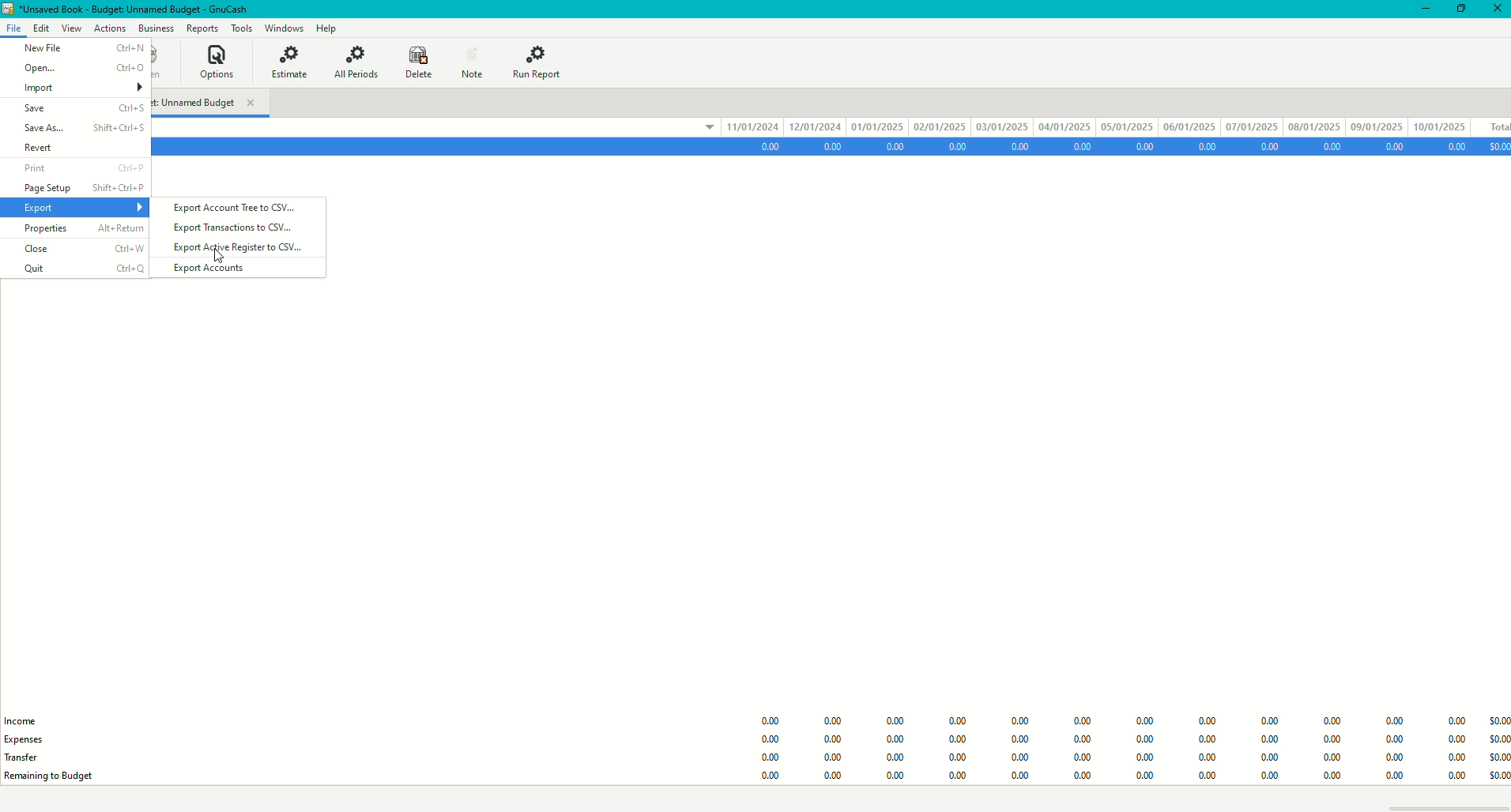 The height and width of the screenshot is (812, 1511). I want to click on Budget Data, so click(1121, 739).